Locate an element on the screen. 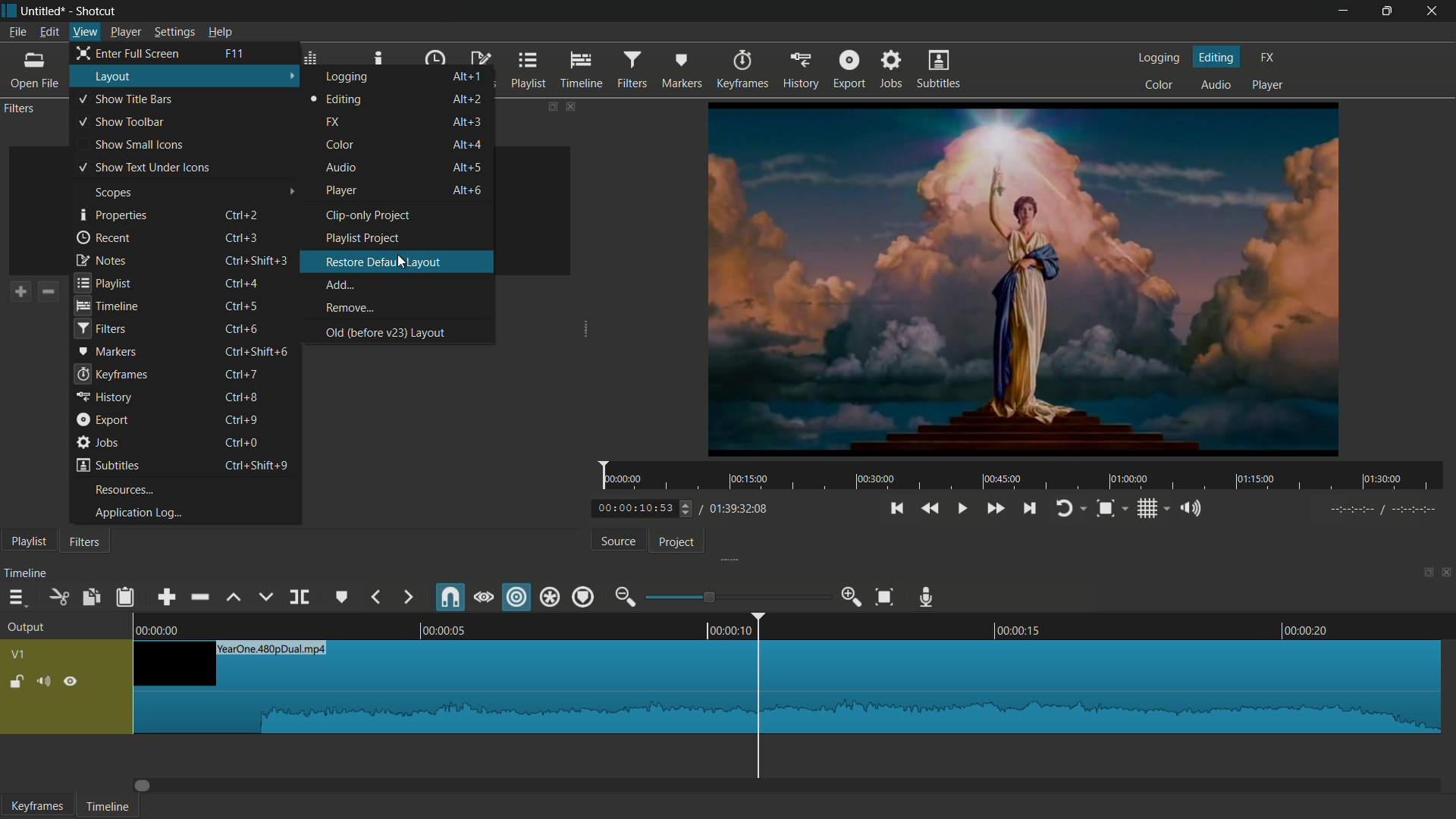 The height and width of the screenshot is (819, 1456). settings menu is located at coordinates (174, 33).